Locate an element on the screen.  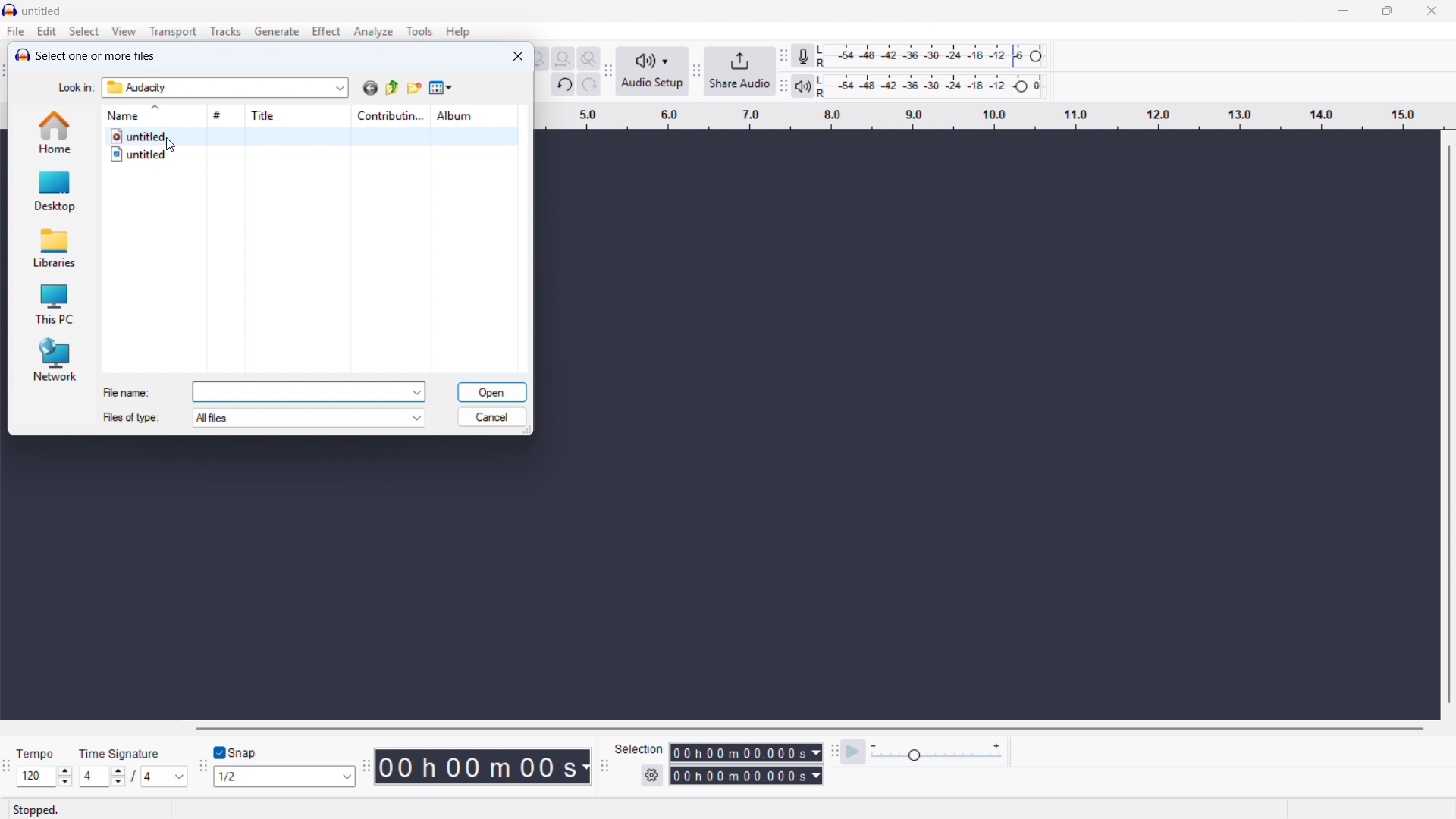
Transport  is located at coordinates (172, 32).